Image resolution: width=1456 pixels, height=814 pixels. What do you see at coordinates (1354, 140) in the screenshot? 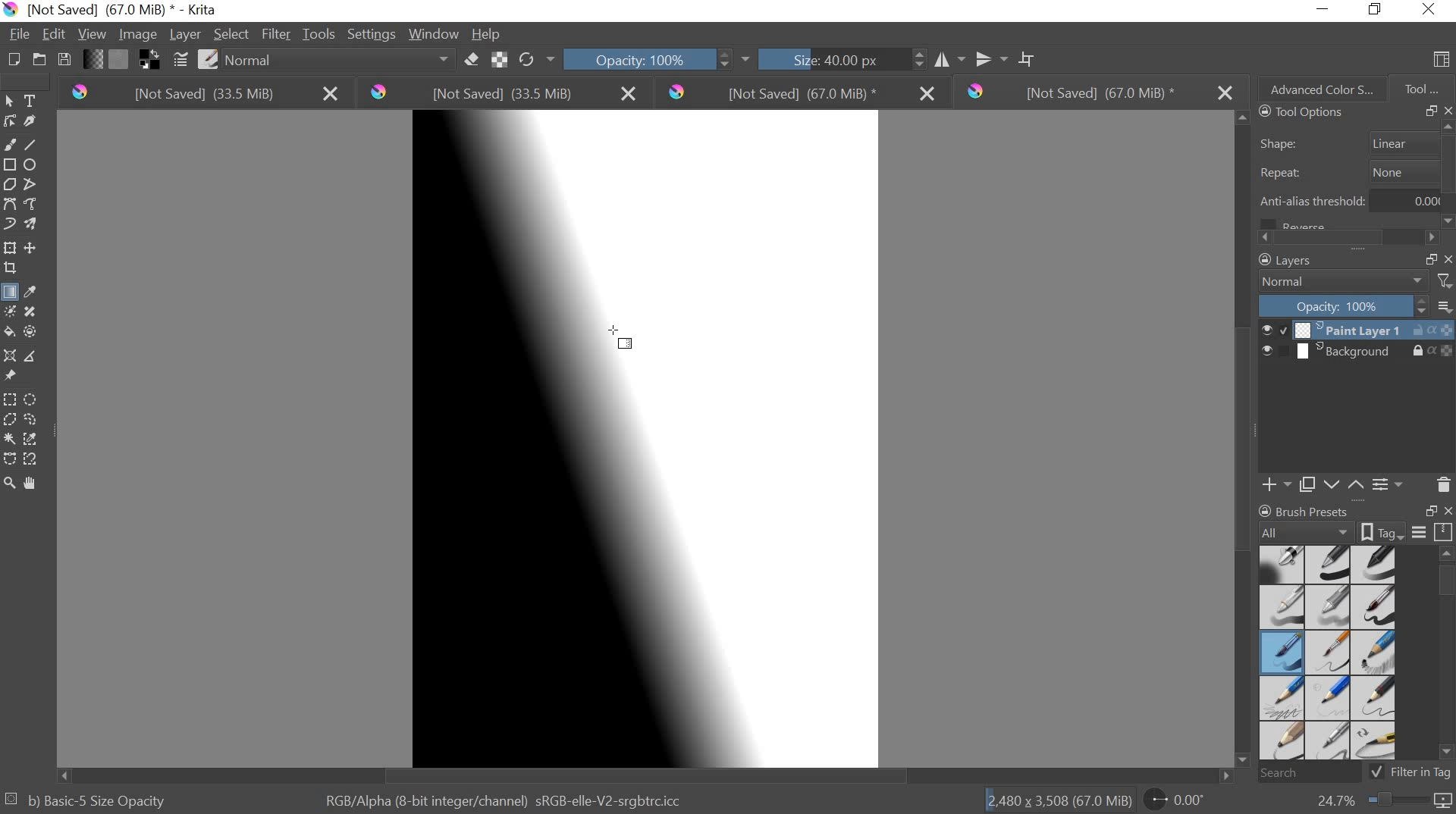
I see `shape liner` at bounding box center [1354, 140].